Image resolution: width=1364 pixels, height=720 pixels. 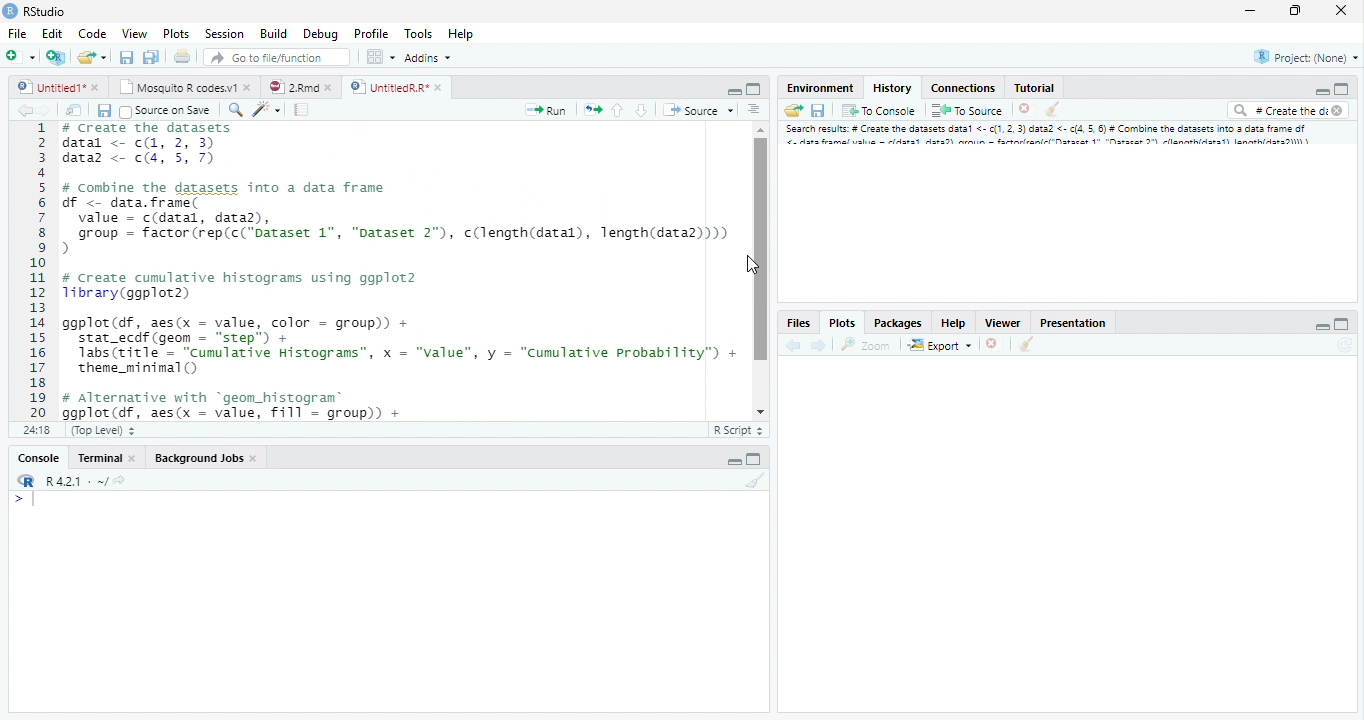 I want to click on Code beautify, so click(x=269, y=110).